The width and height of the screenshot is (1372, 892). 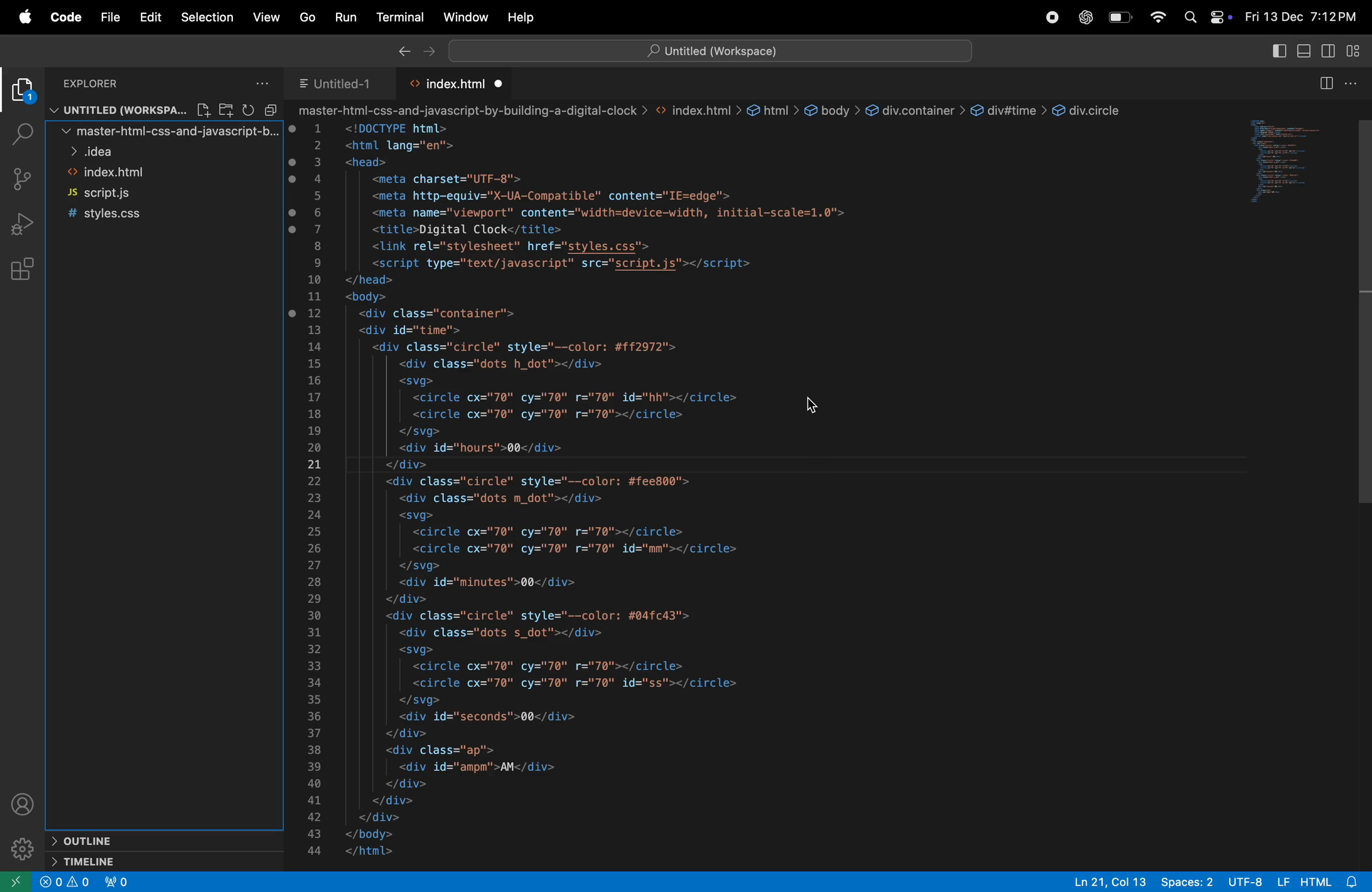 I want to click on open remote window, so click(x=17, y=882).